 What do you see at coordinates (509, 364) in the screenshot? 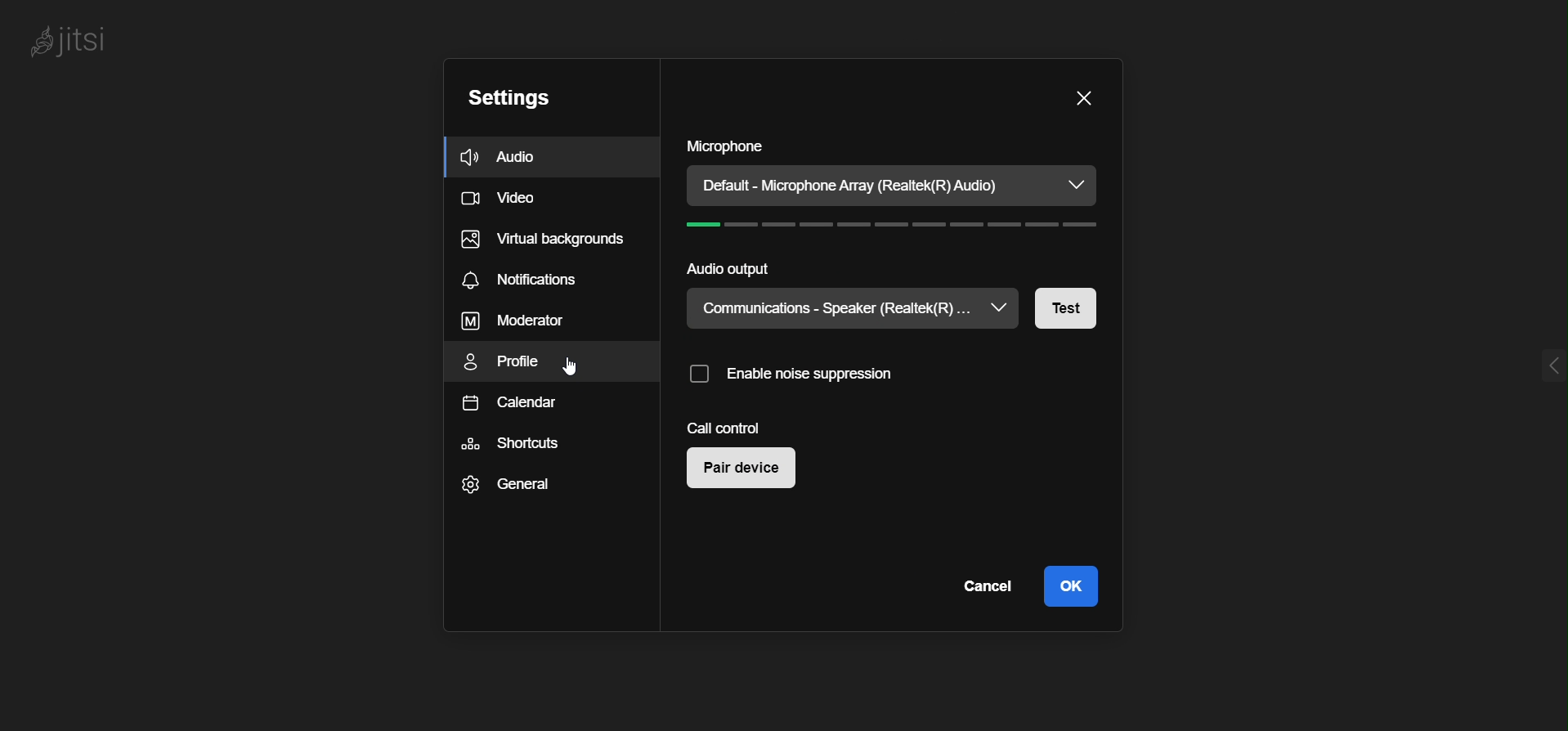
I see `profile` at bounding box center [509, 364].